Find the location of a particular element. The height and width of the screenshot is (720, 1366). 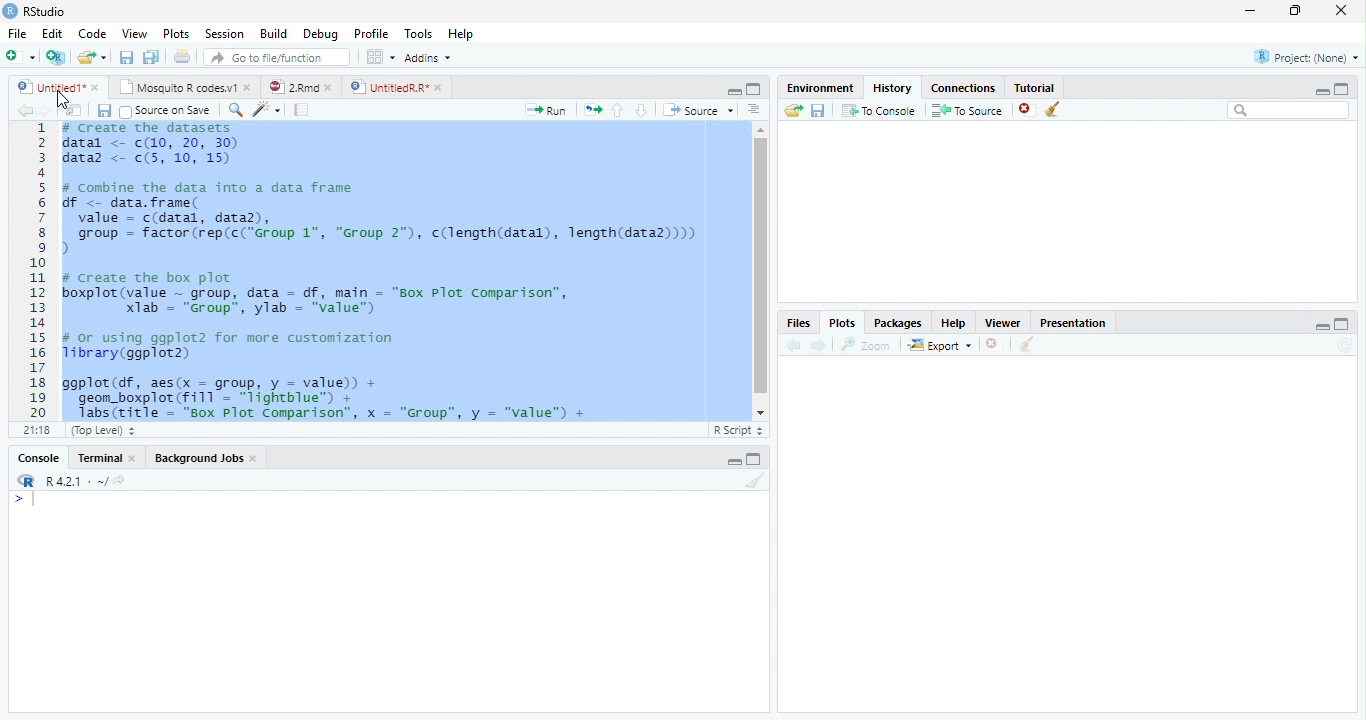

R Script is located at coordinates (738, 431).